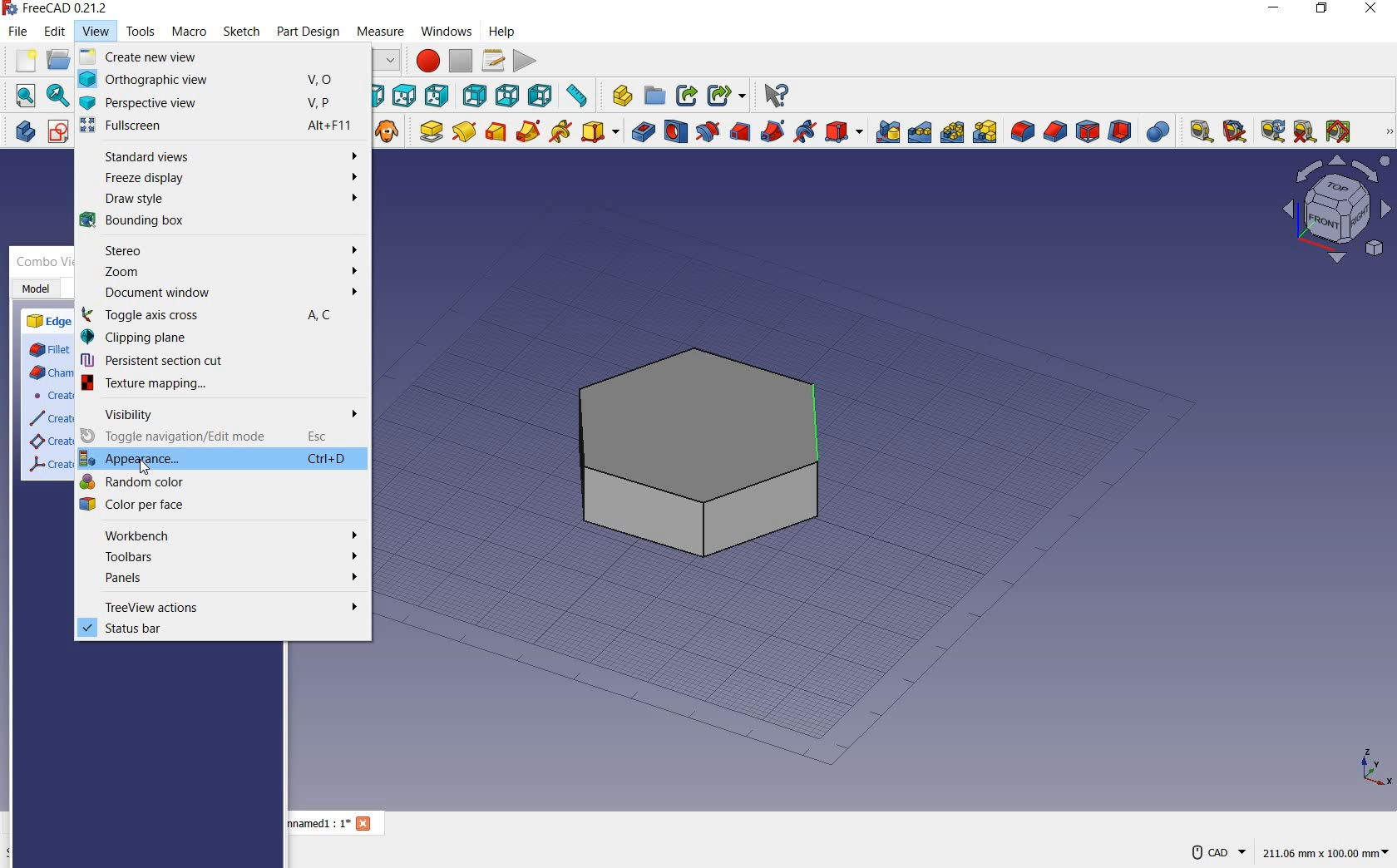 The height and width of the screenshot is (868, 1397). What do you see at coordinates (1325, 855) in the screenshot?
I see `211.05 mm x 100.00 mm(dimension)` at bounding box center [1325, 855].